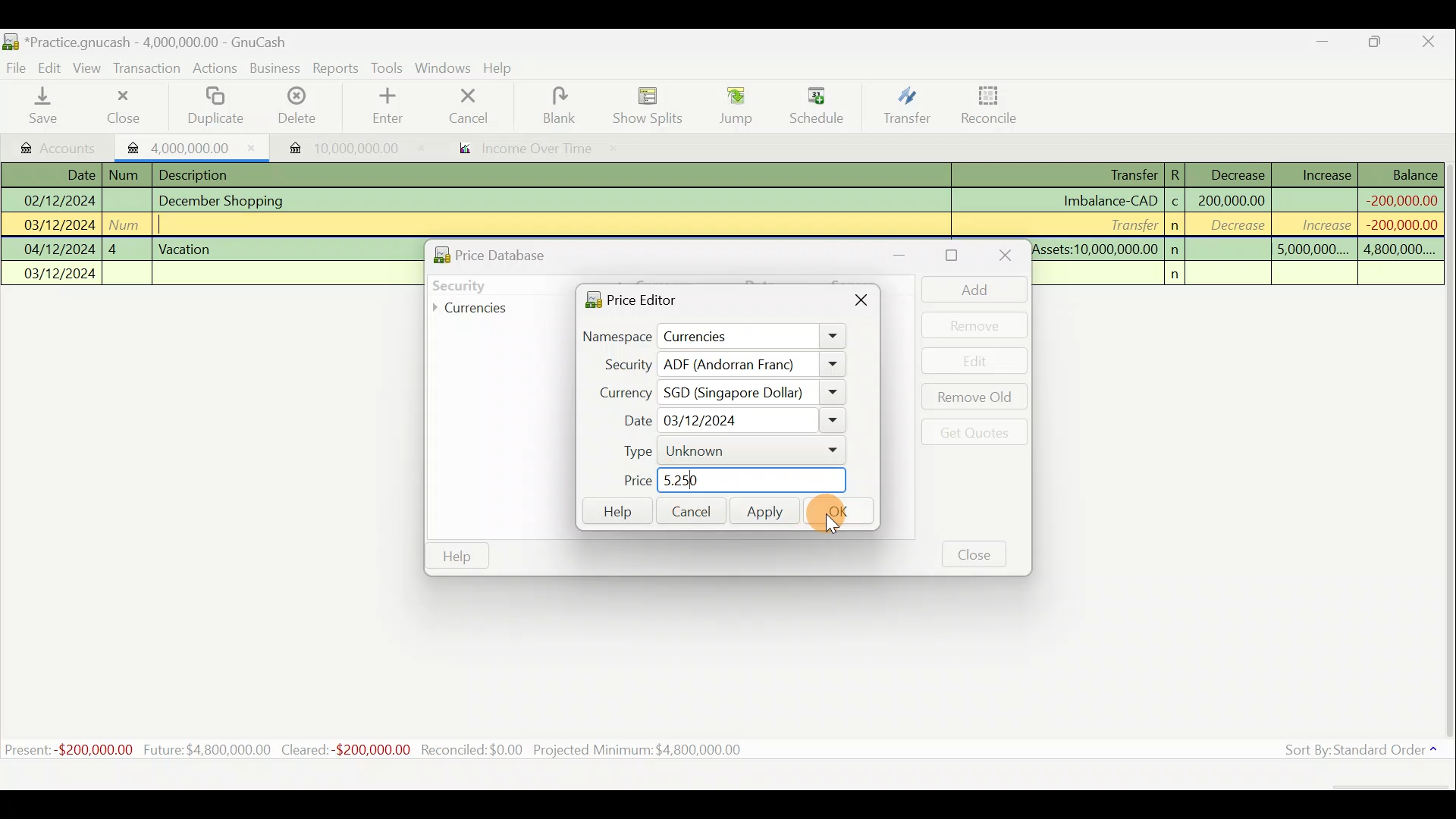  I want to click on Windows, so click(443, 68).